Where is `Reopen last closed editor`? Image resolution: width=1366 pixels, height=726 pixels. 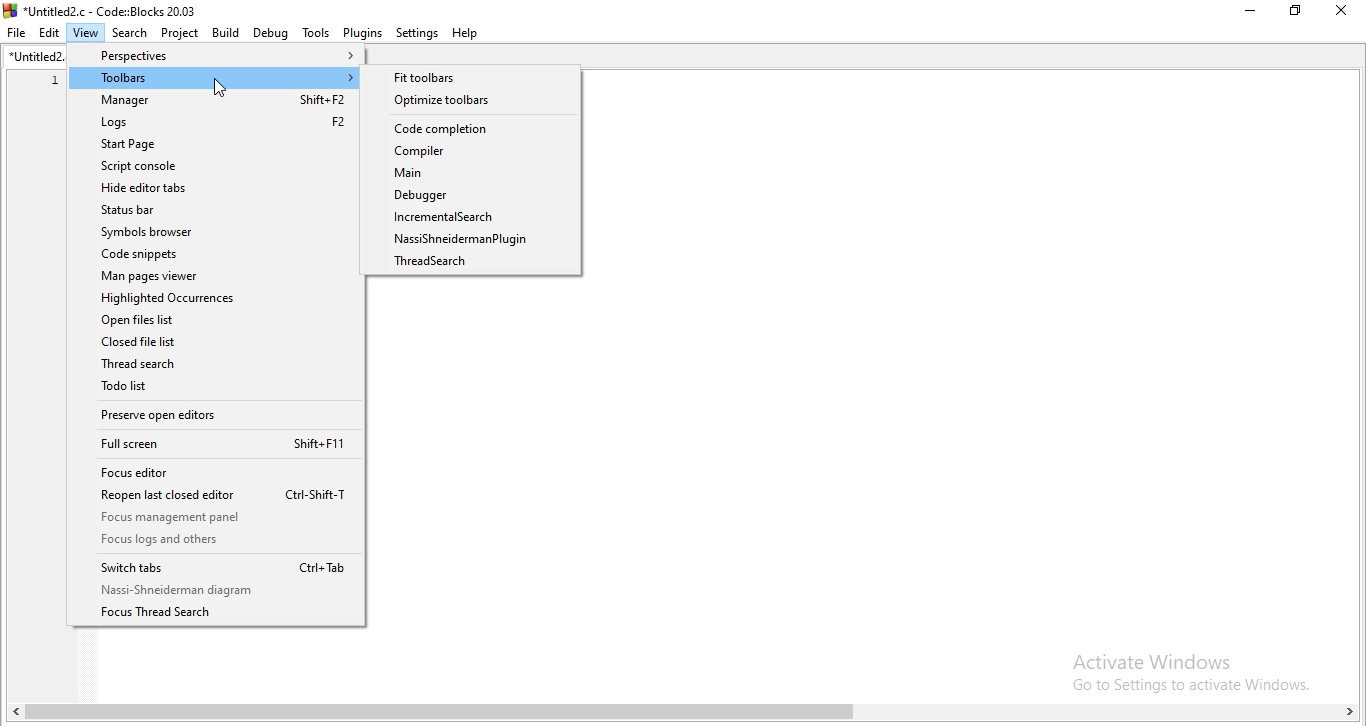 Reopen last closed editor is located at coordinates (216, 496).